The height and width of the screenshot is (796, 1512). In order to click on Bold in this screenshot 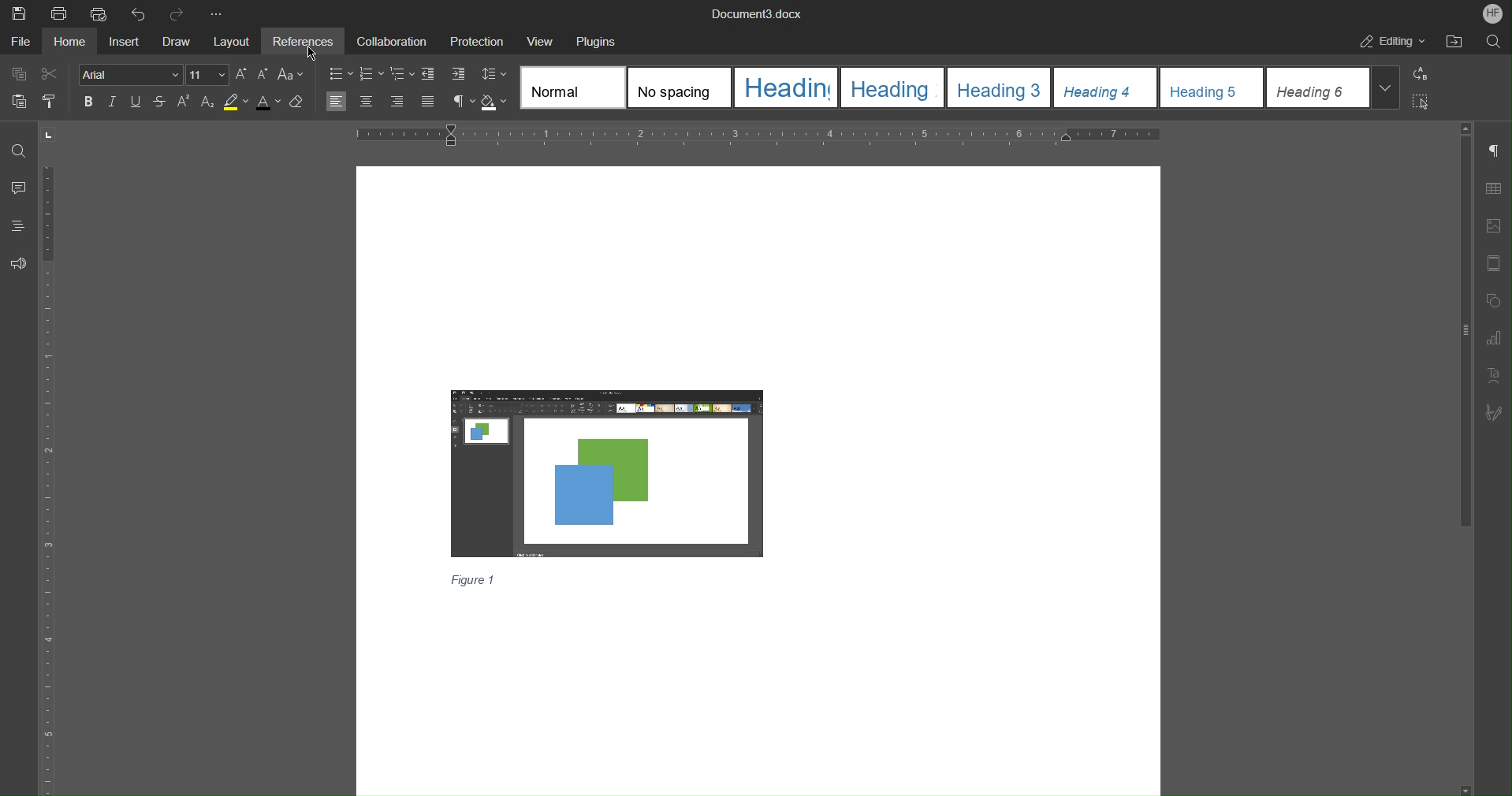, I will do `click(91, 101)`.